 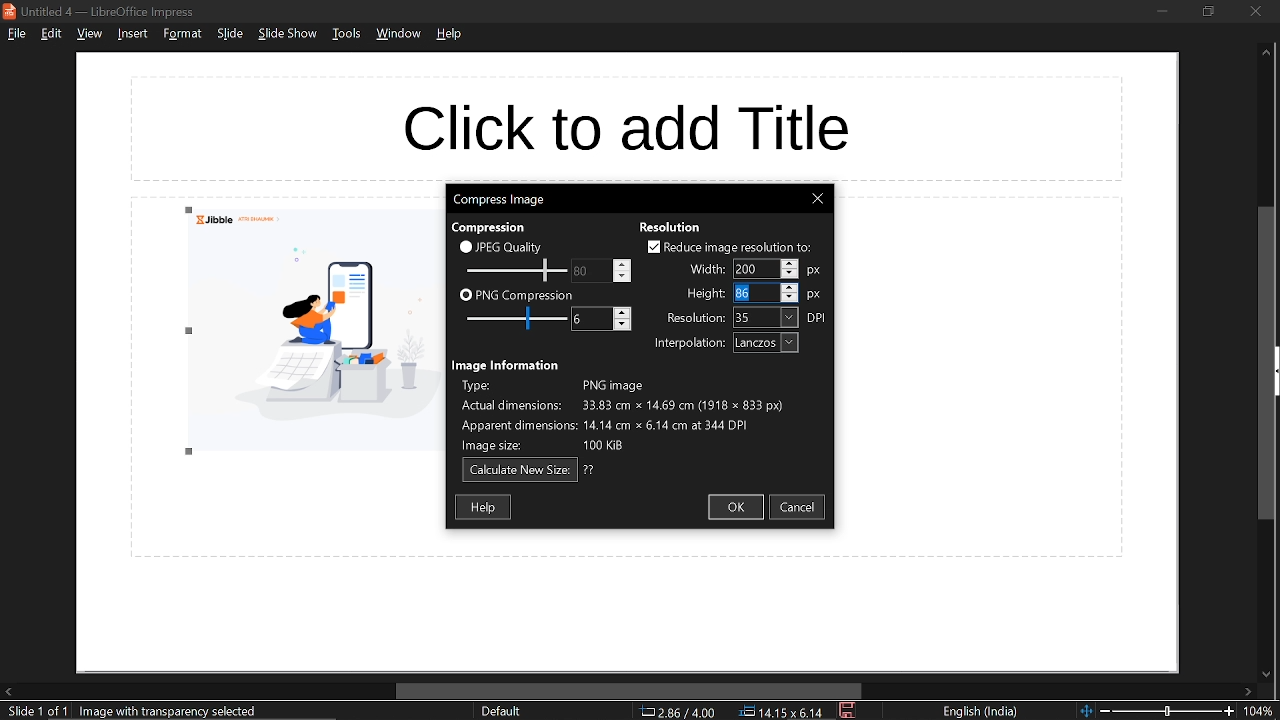 I want to click on reduce image resolution to, so click(x=730, y=247).